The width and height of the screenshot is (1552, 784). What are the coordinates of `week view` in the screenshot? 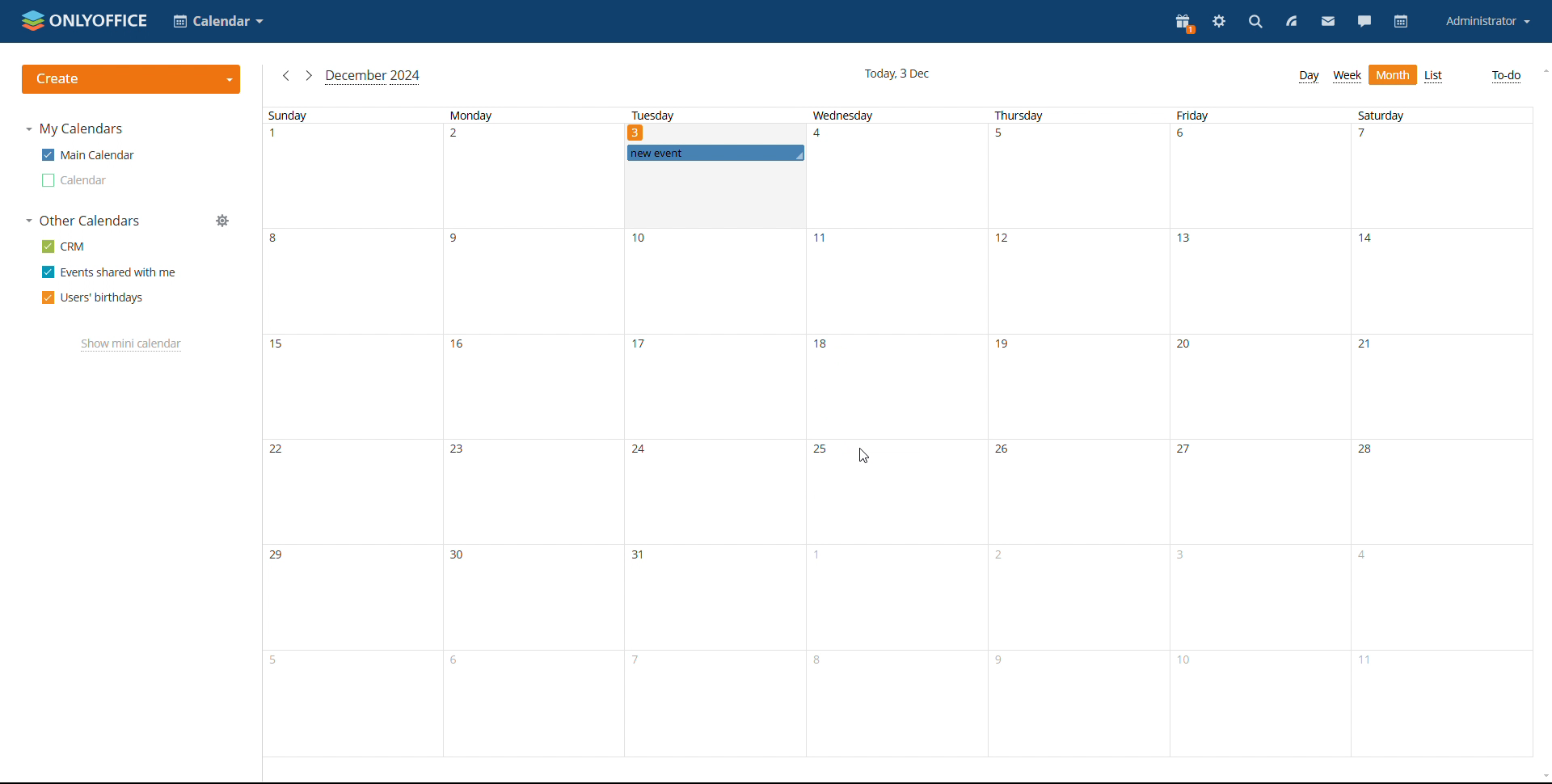 It's located at (1347, 76).